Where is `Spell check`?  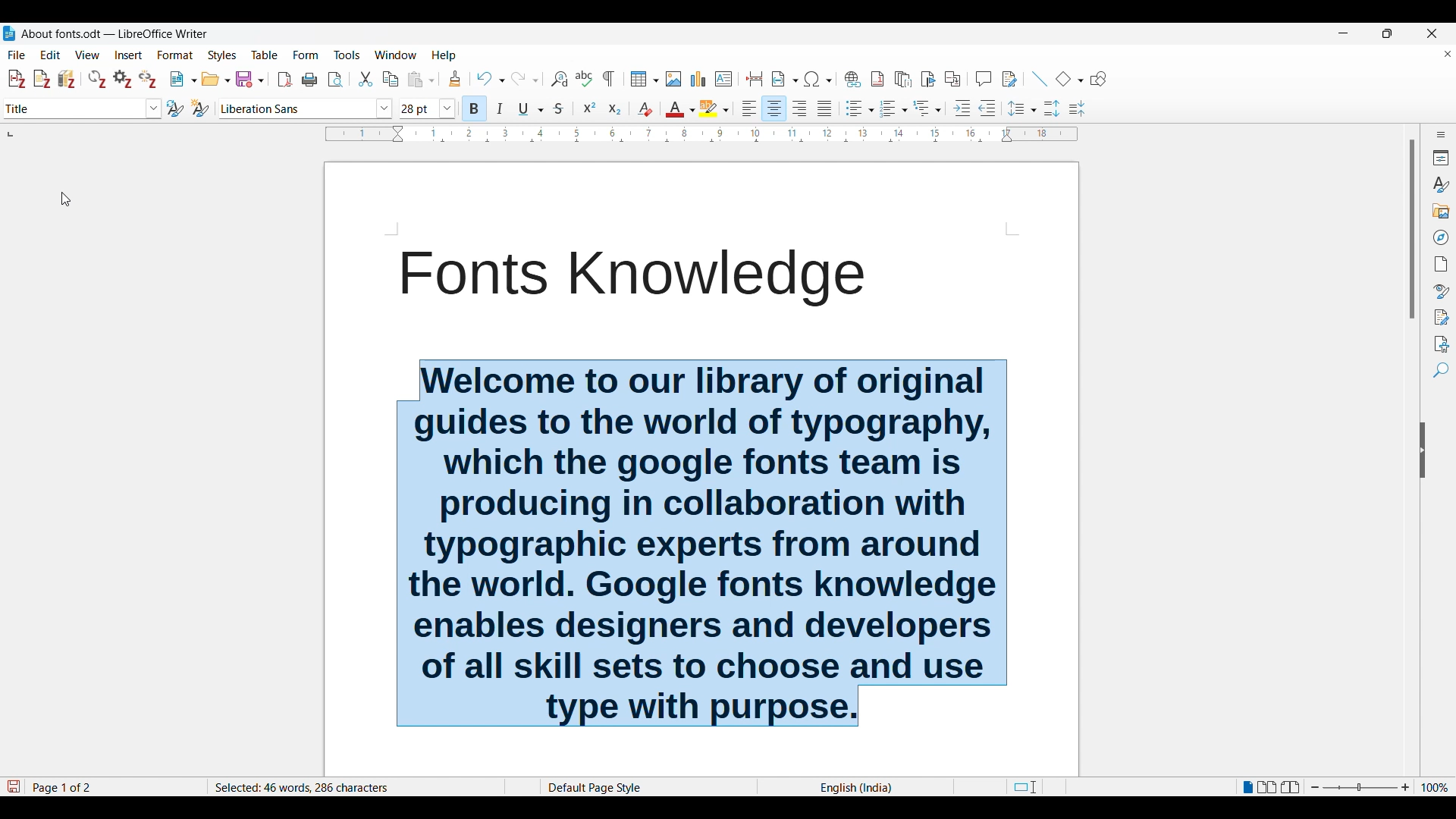 Spell check is located at coordinates (584, 79).